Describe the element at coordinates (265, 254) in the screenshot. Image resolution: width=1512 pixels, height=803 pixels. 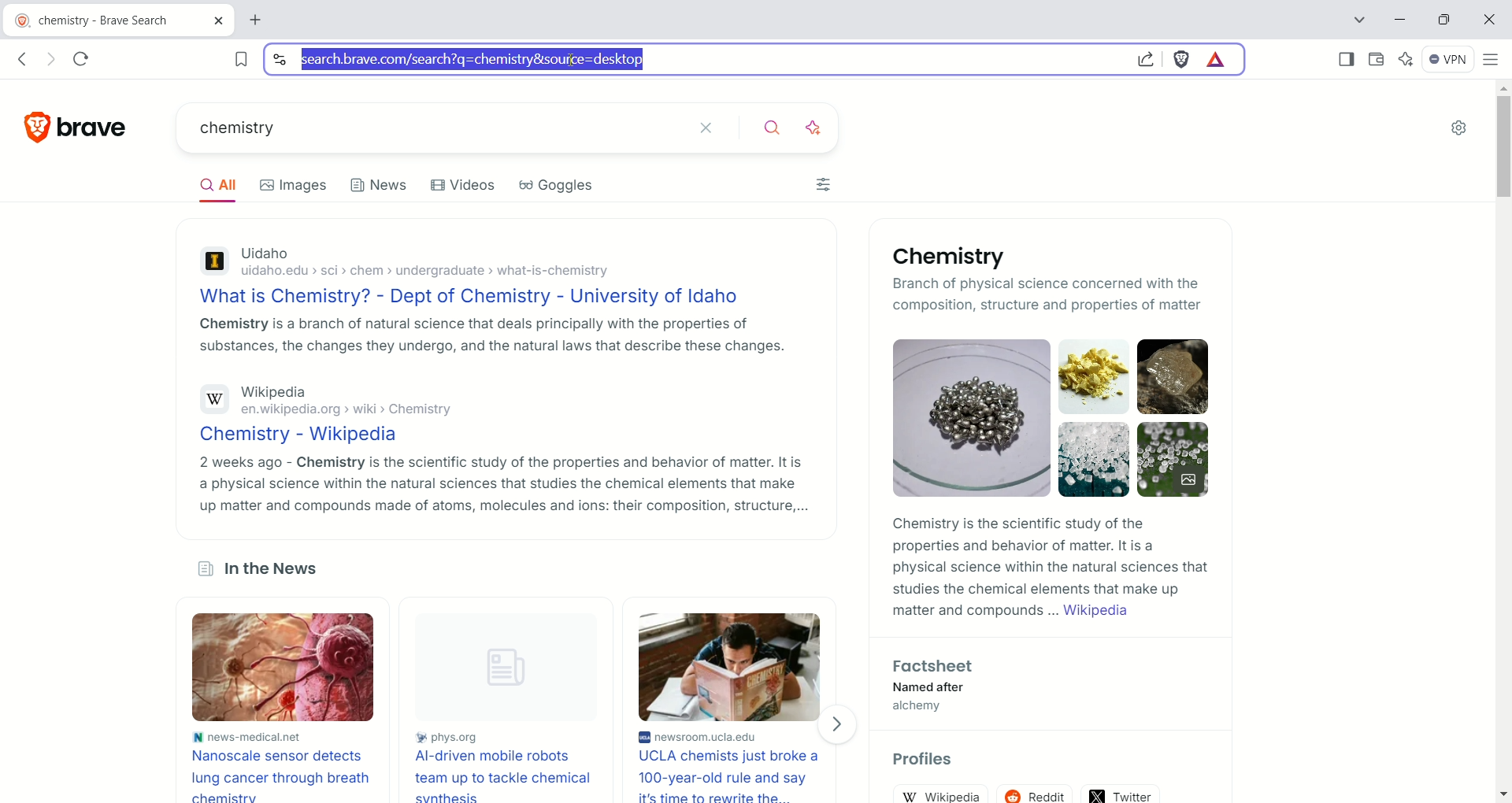
I see `Uidaho` at that location.